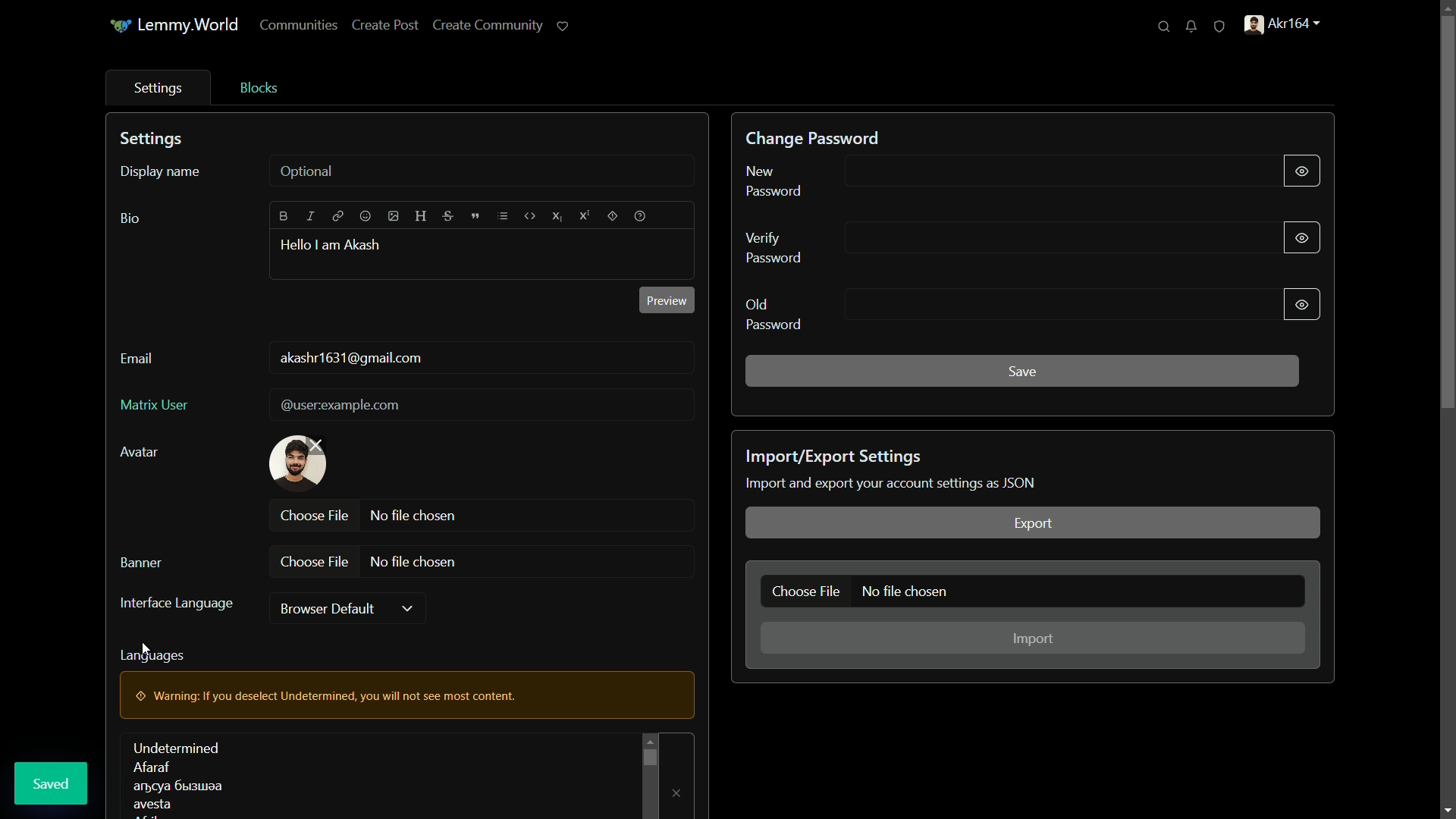  I want to click on superscript, so click(585, 216).